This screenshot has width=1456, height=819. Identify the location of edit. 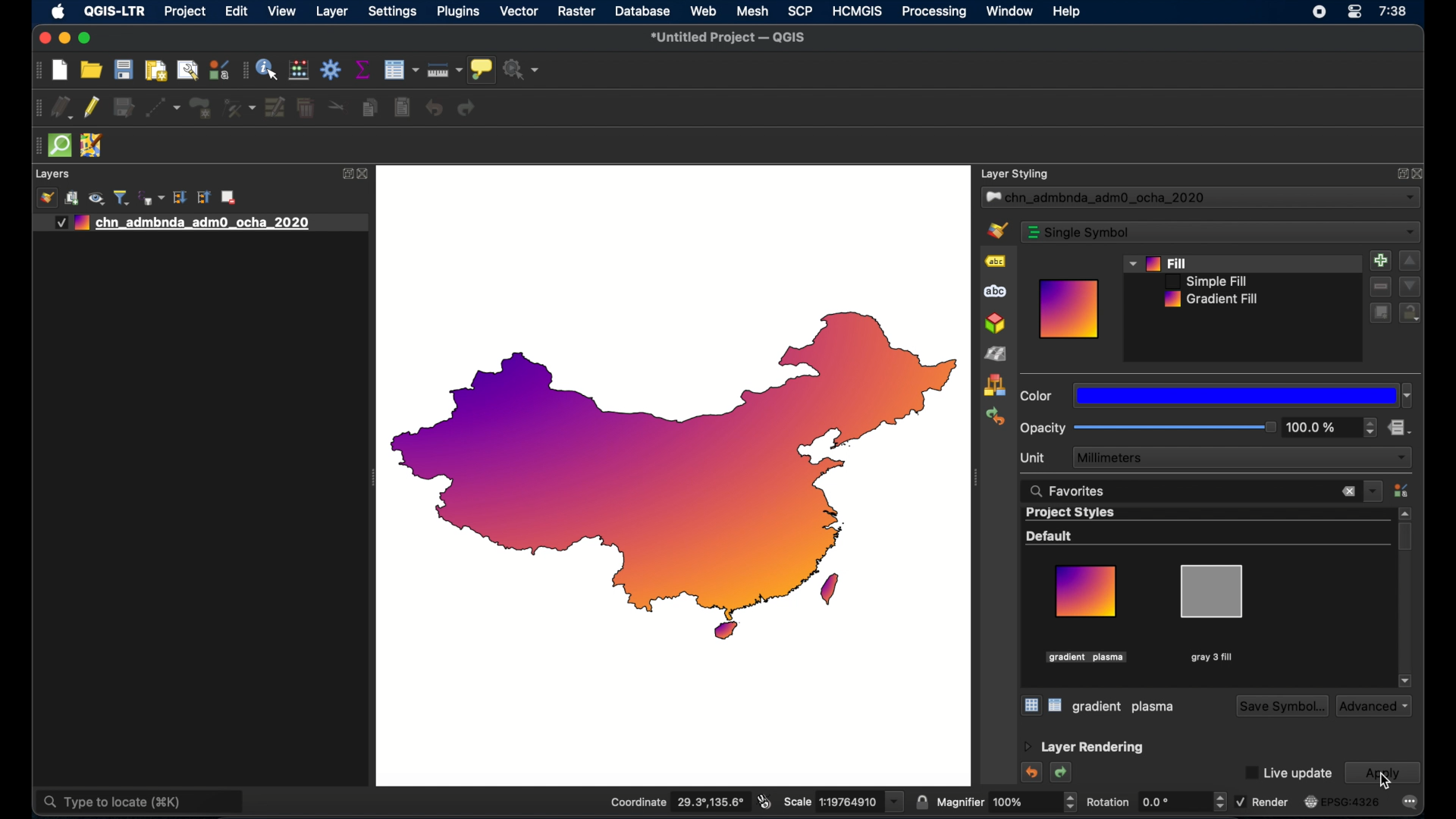
(237, 11).